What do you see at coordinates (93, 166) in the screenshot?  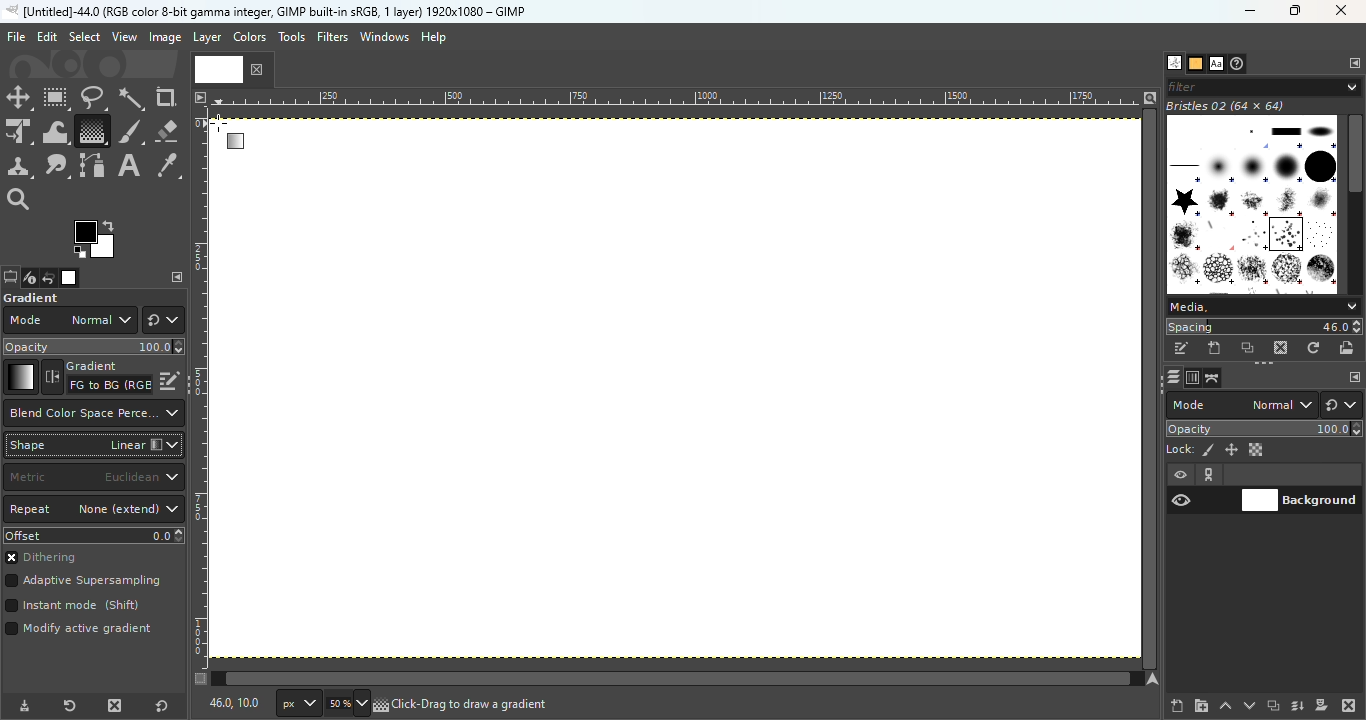 I see `Paths tool` at bounding box center [93, 166].